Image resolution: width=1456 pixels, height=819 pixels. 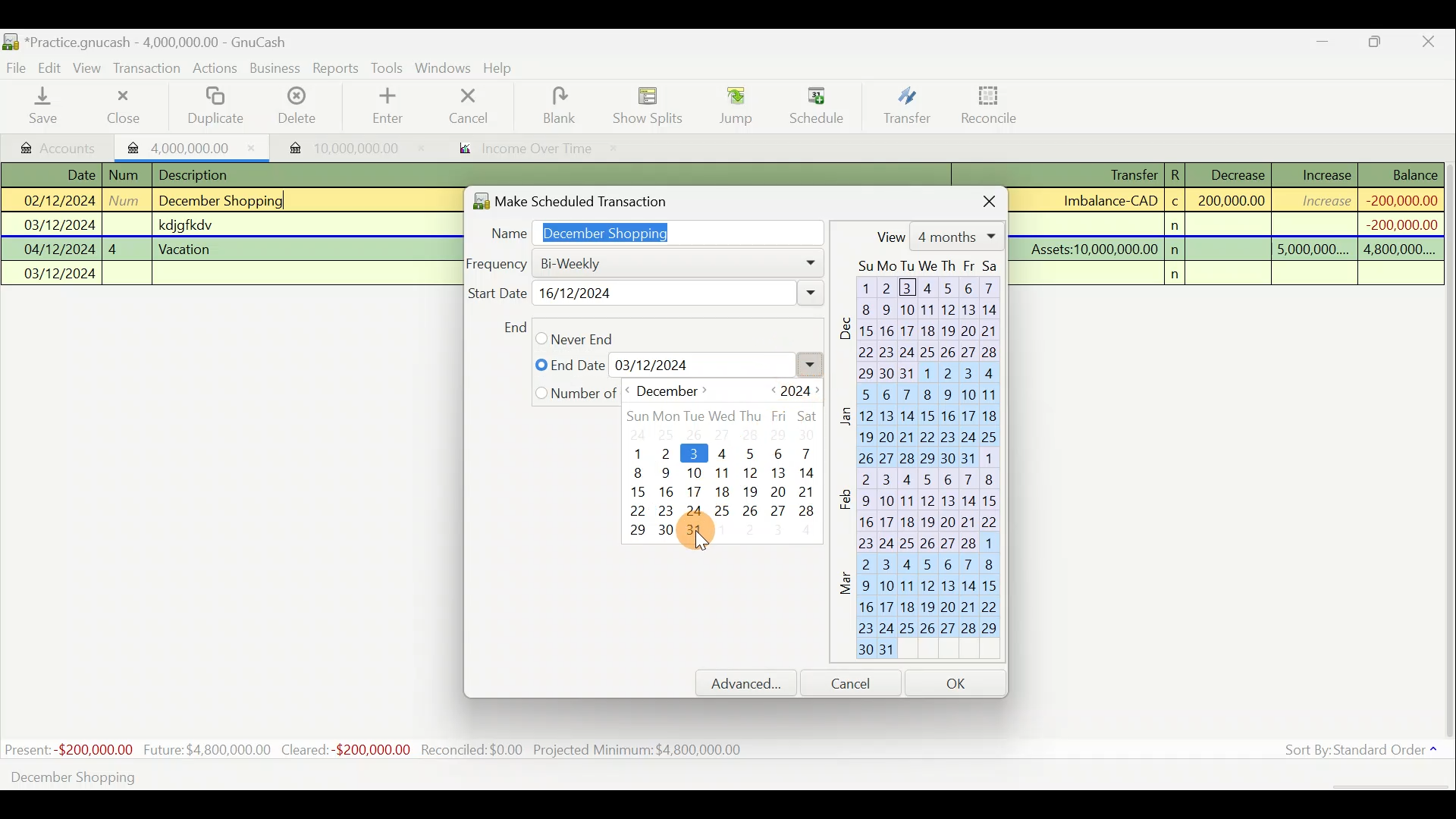 I want to click on Quarterly, so click(x=612, y=365).